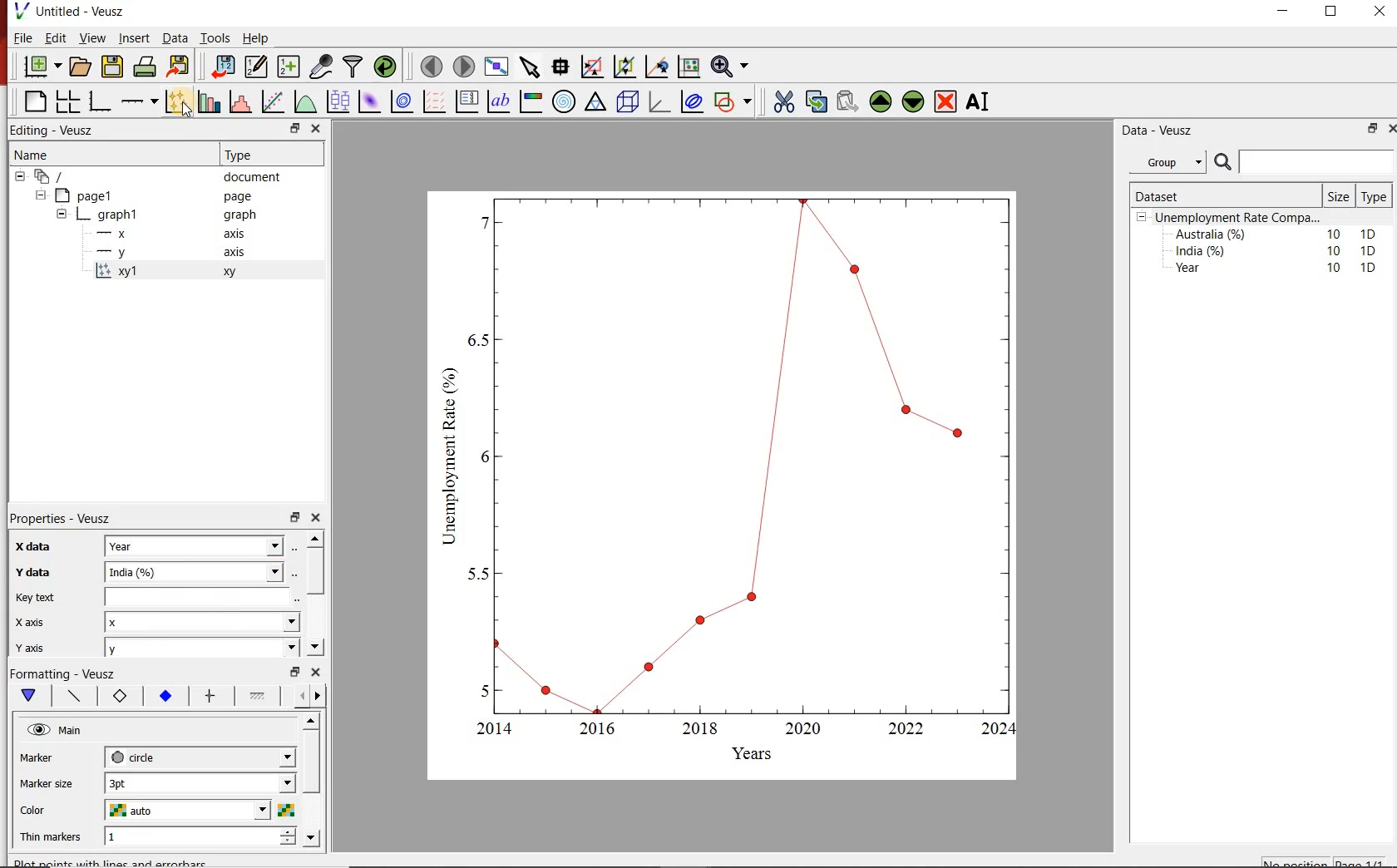 The height and width of the screenshot is (868, 1397). What do you see at coordinates (198, 755) in the screenshot?
I see `circle` at bounding box center [198, 755].